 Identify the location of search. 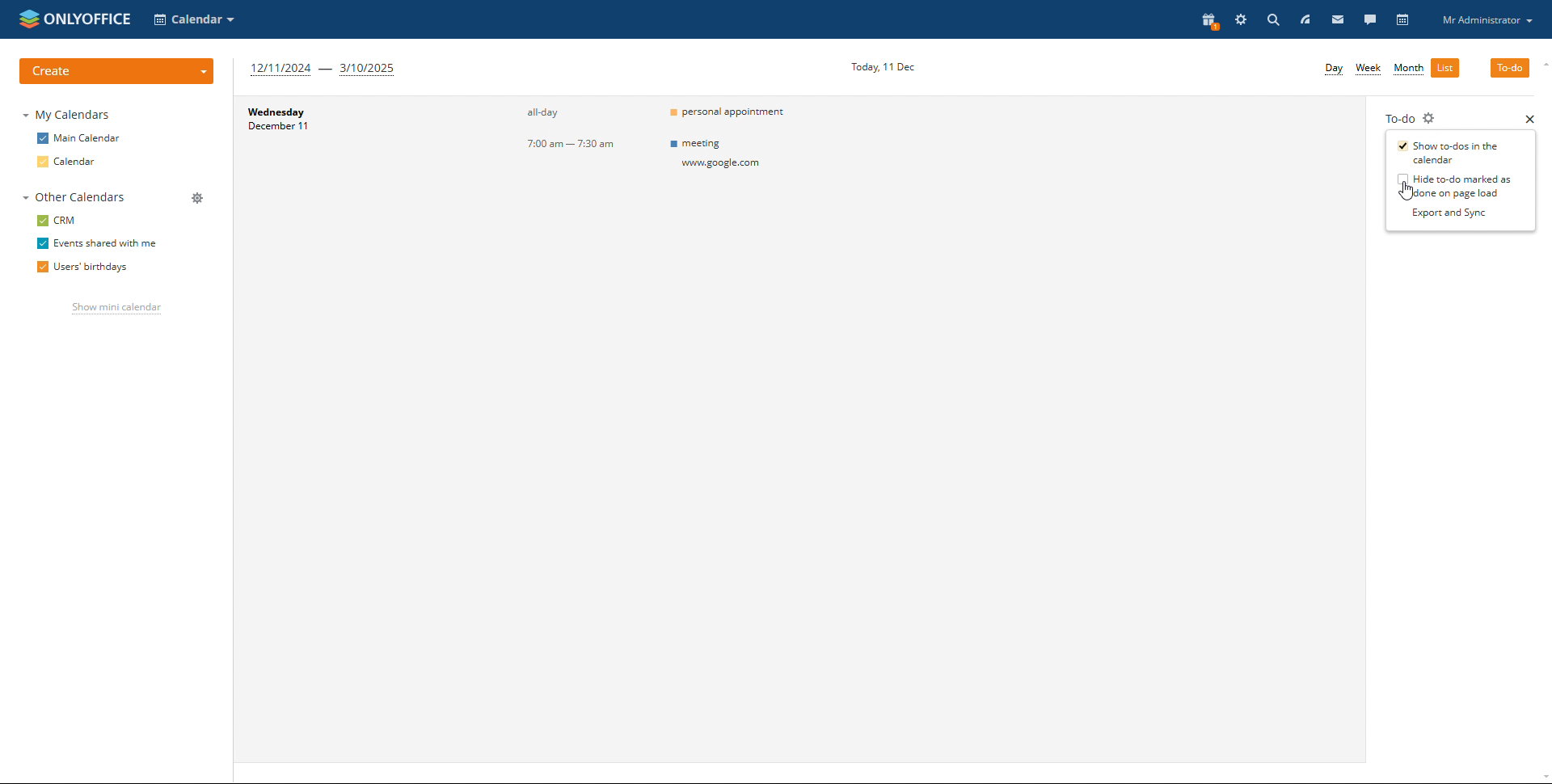
(1274, 20).